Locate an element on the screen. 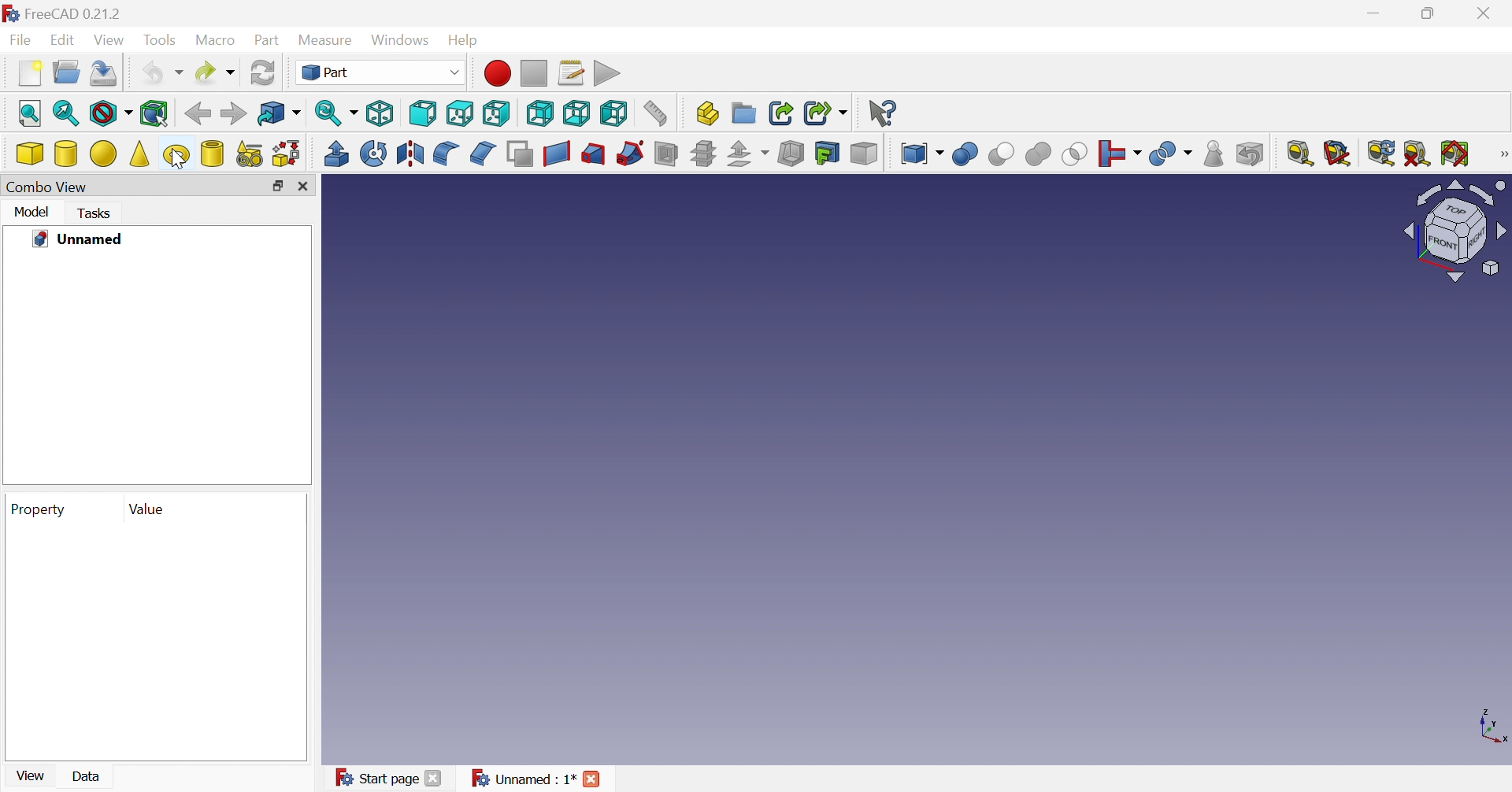  Create part is located at coordinates (707, 112).